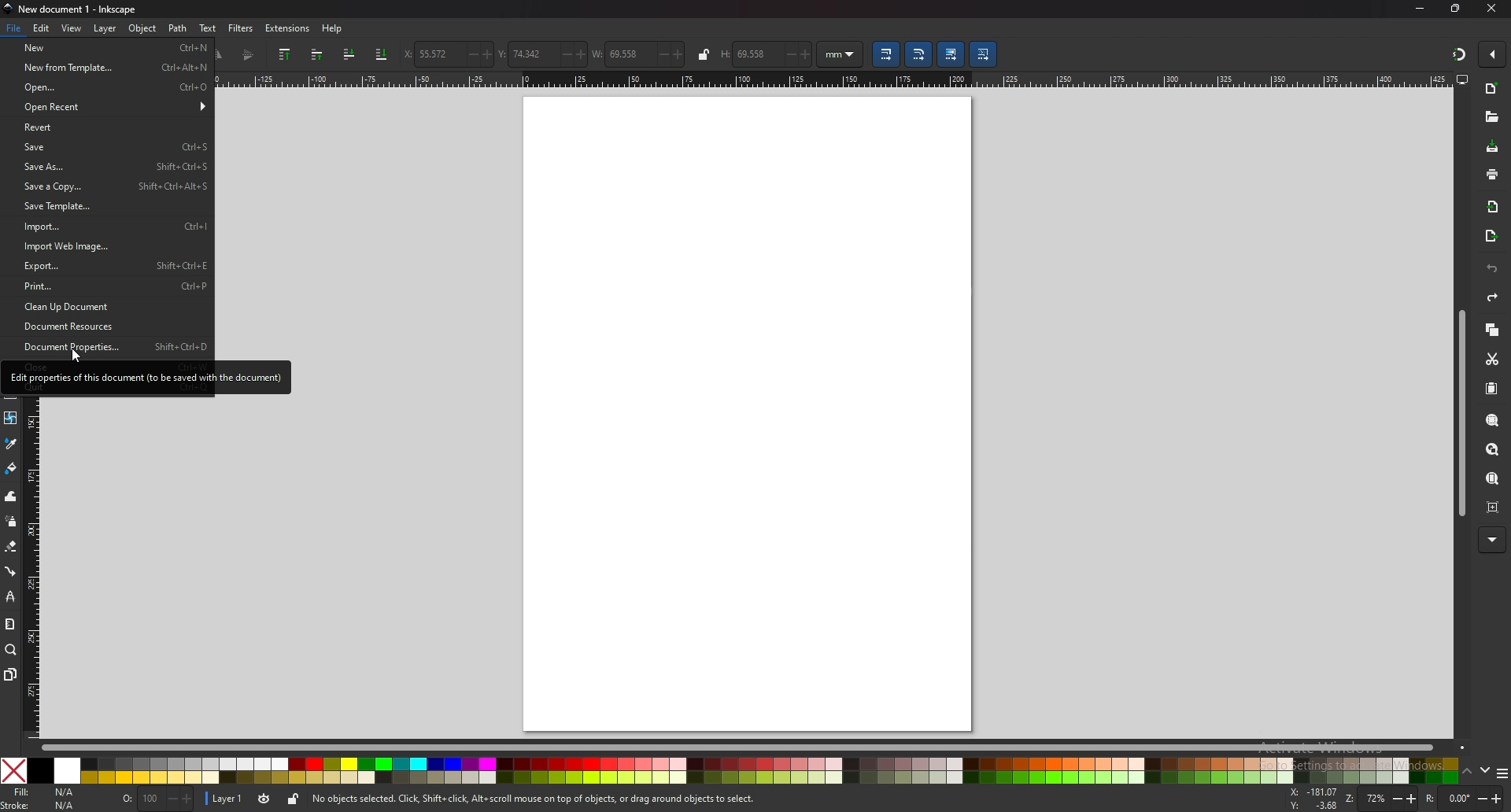 The image size is (1511, 812). Describe the element at coordinates (31, 567) in the screenshot. I see `vertical ruler` at that location.